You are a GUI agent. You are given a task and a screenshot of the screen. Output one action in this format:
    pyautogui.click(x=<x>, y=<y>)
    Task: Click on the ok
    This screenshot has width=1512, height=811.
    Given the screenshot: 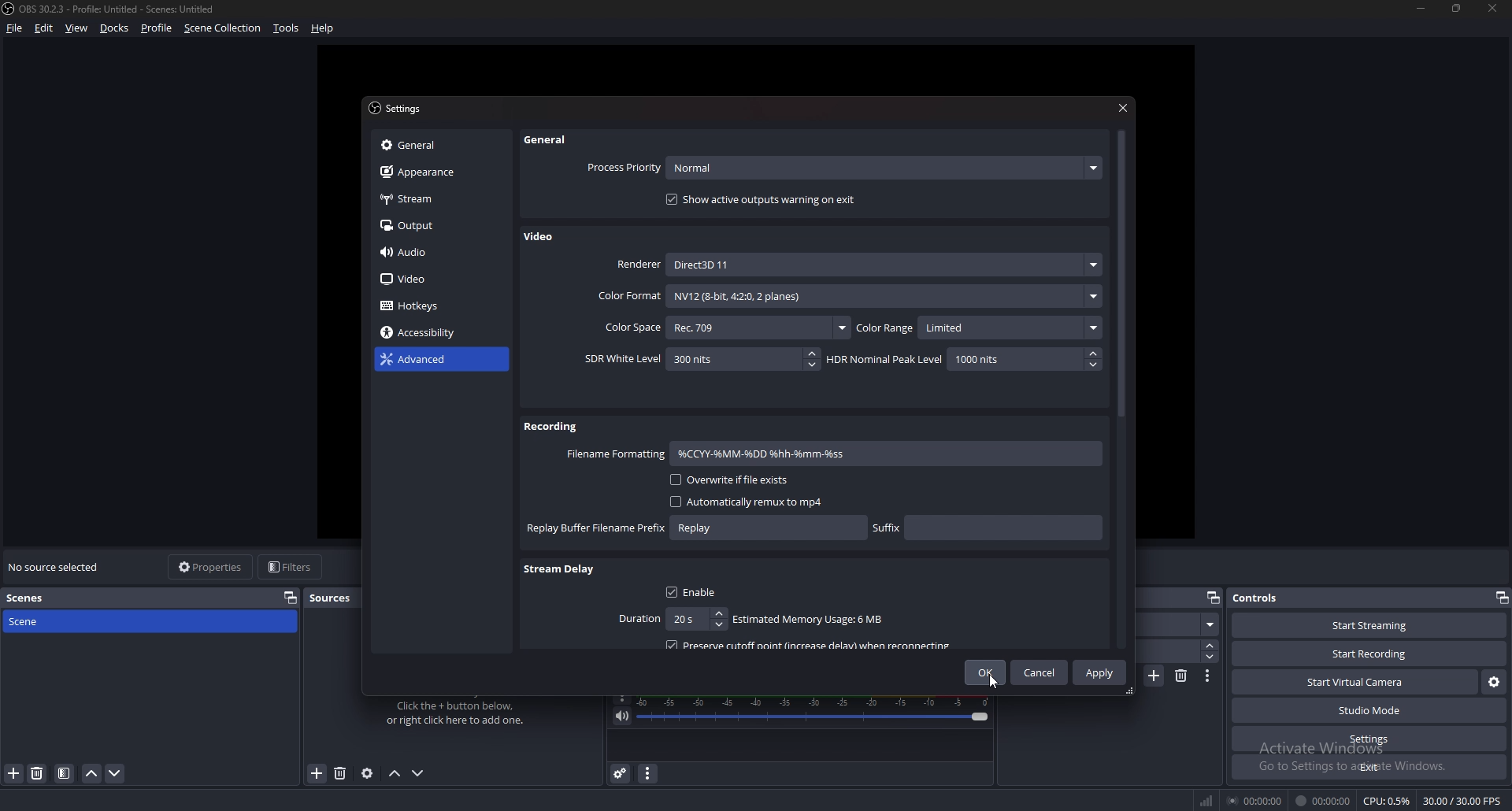 What is the action you would take?
    pyautogui.click(x=988, y=672)
    